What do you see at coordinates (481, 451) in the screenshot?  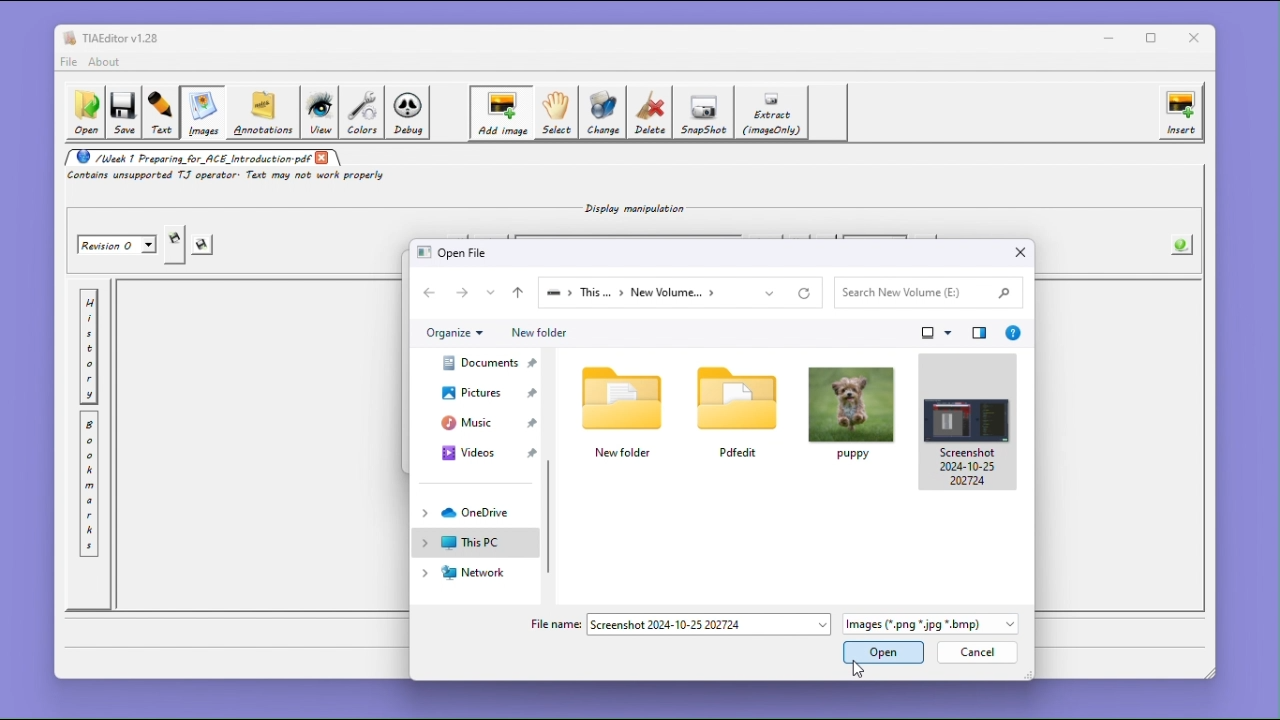 I see `videos` at bounding box center [481, 451].